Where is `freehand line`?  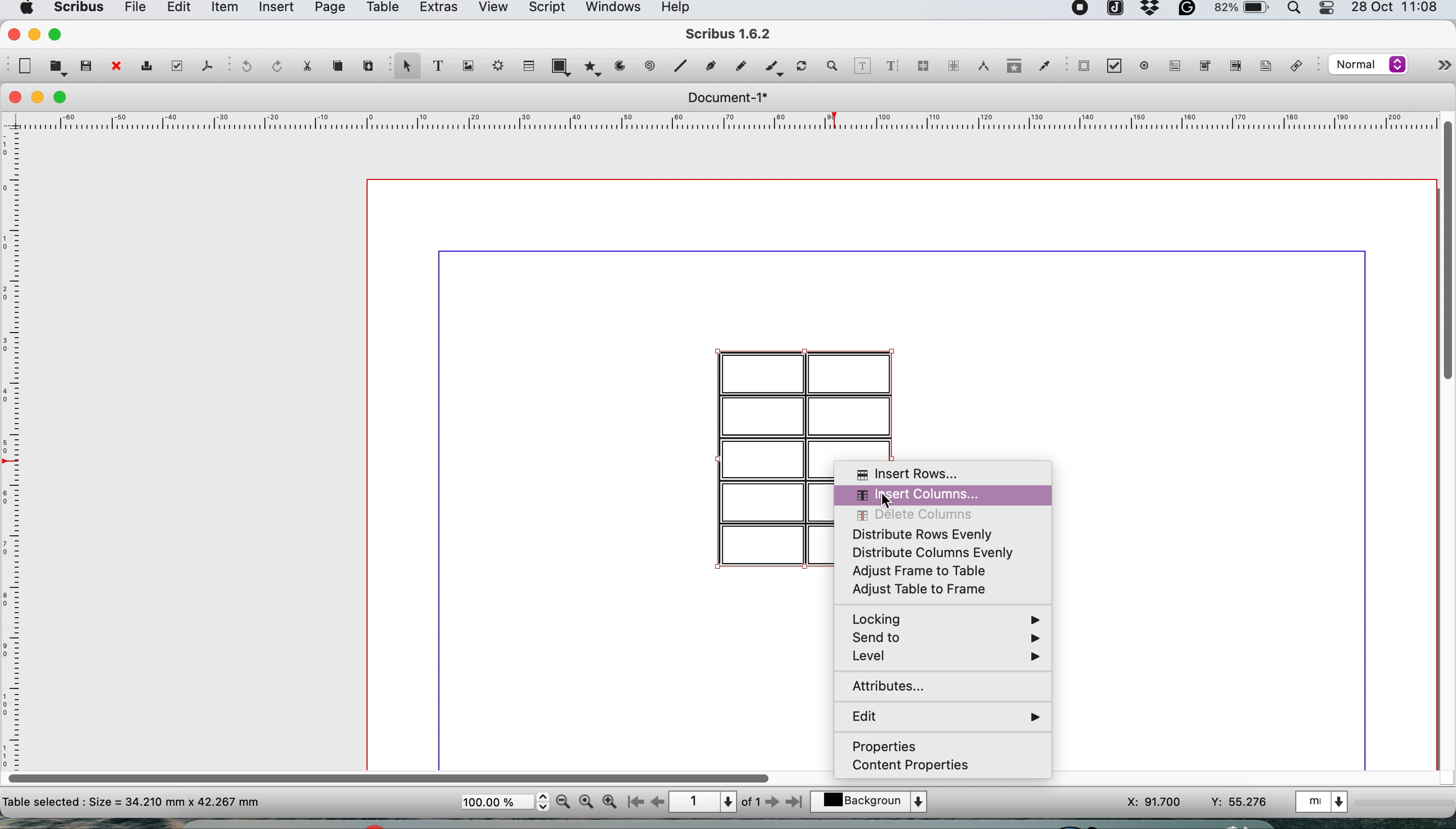 freehand line is located at coordinates (738, 66).